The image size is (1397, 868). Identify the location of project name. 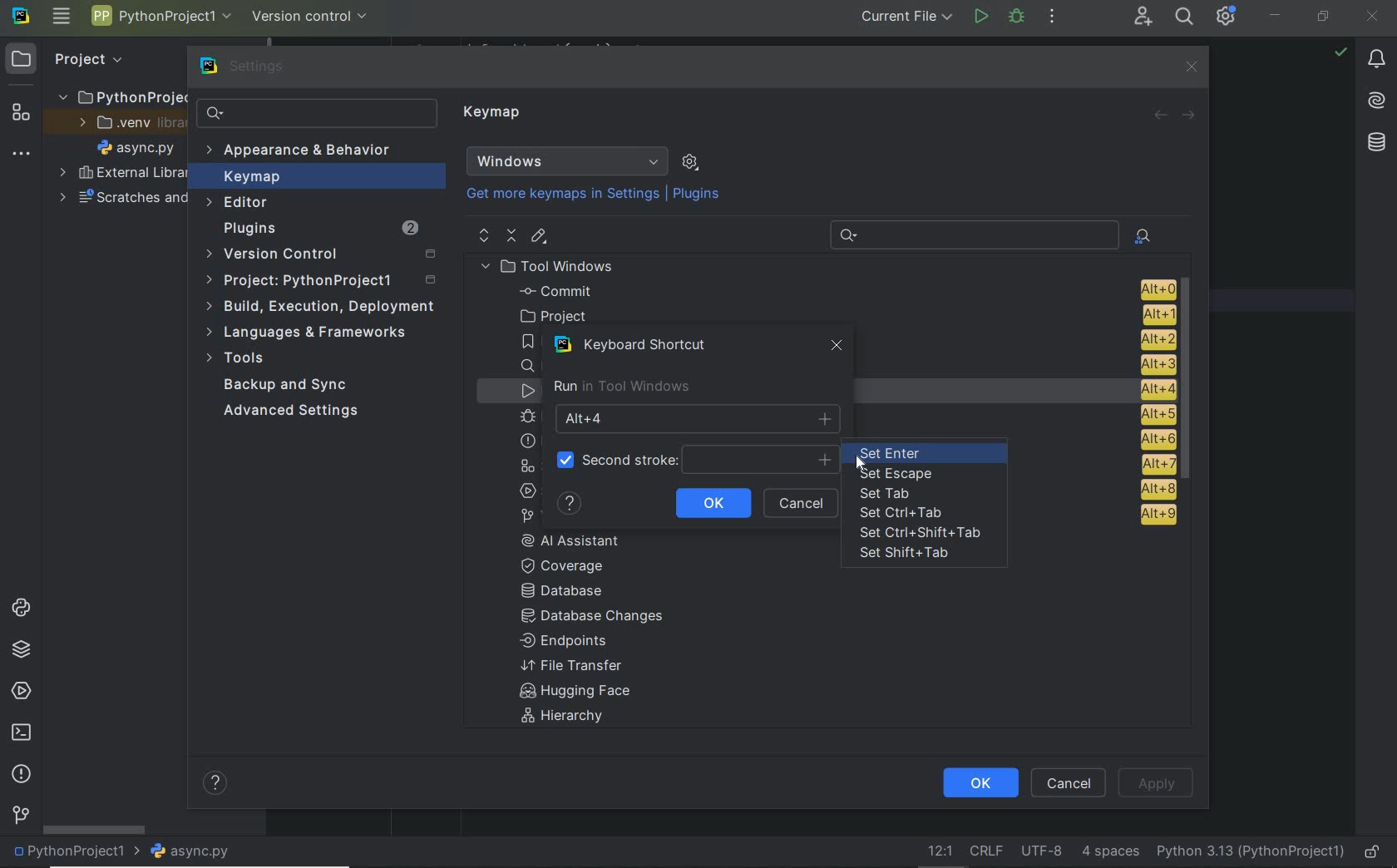
(72, 853).